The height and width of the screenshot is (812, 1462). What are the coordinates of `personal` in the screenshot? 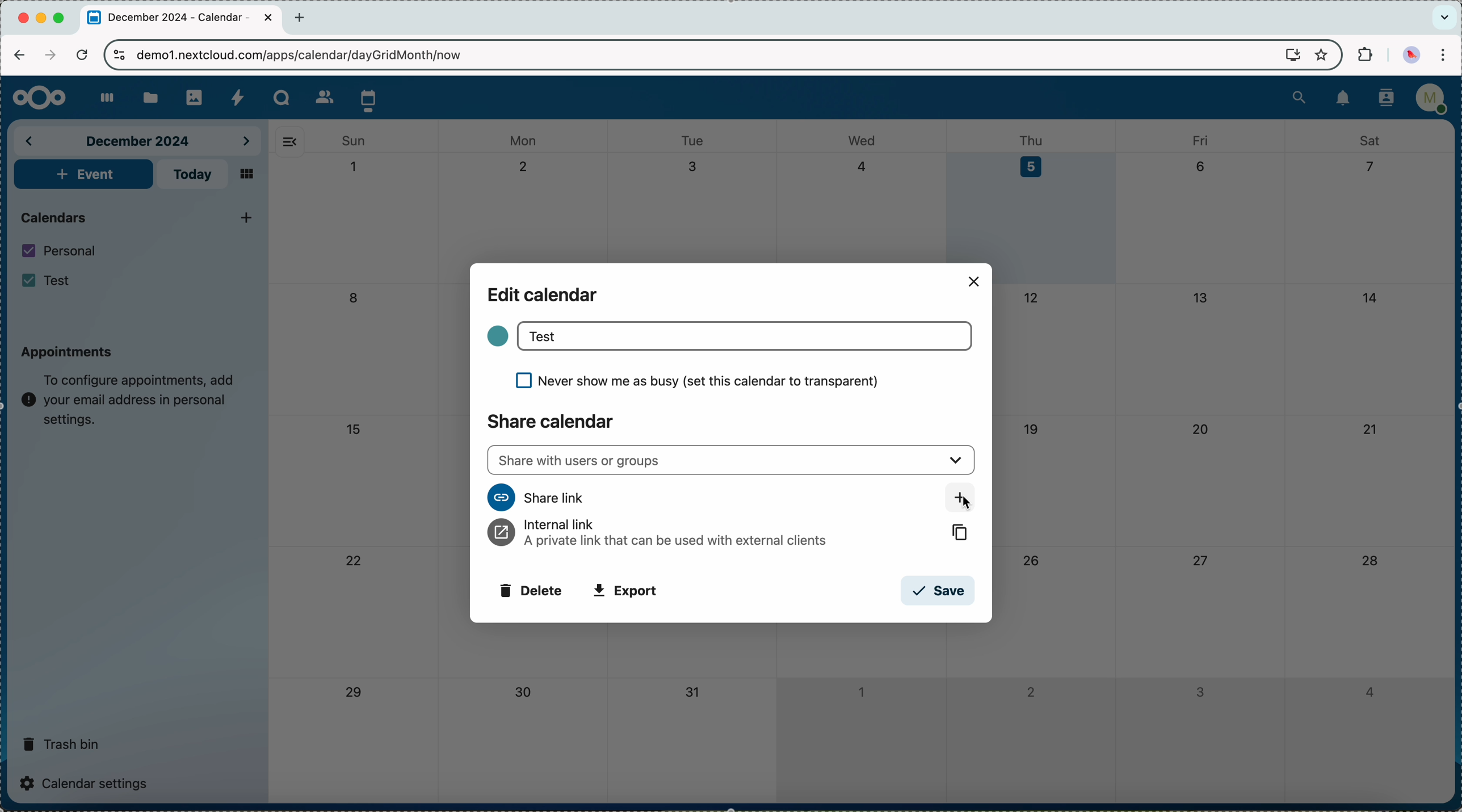 It's located at (61, 251).